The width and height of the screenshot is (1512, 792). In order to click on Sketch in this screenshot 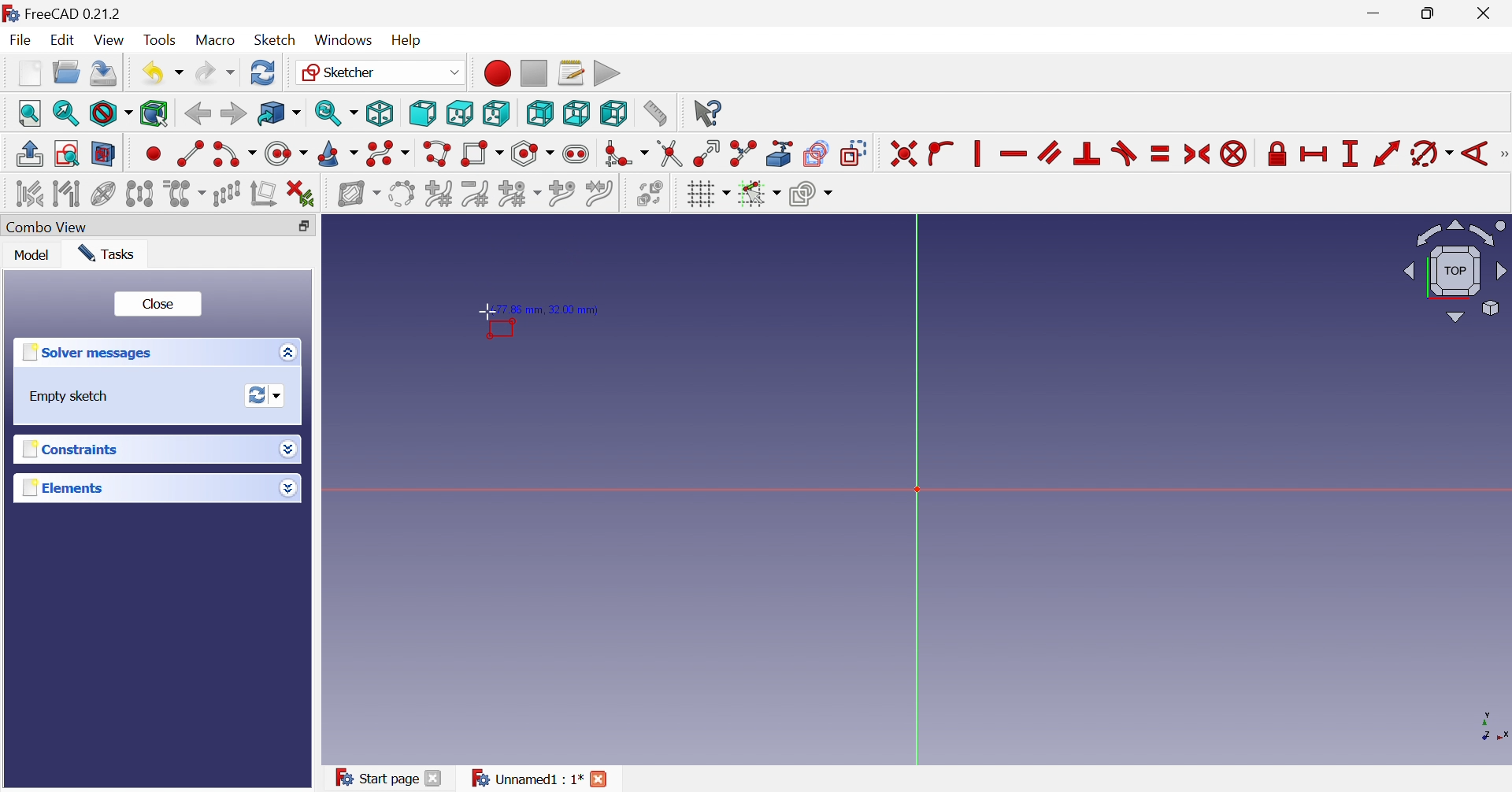, I will do `click(275, 40)`.